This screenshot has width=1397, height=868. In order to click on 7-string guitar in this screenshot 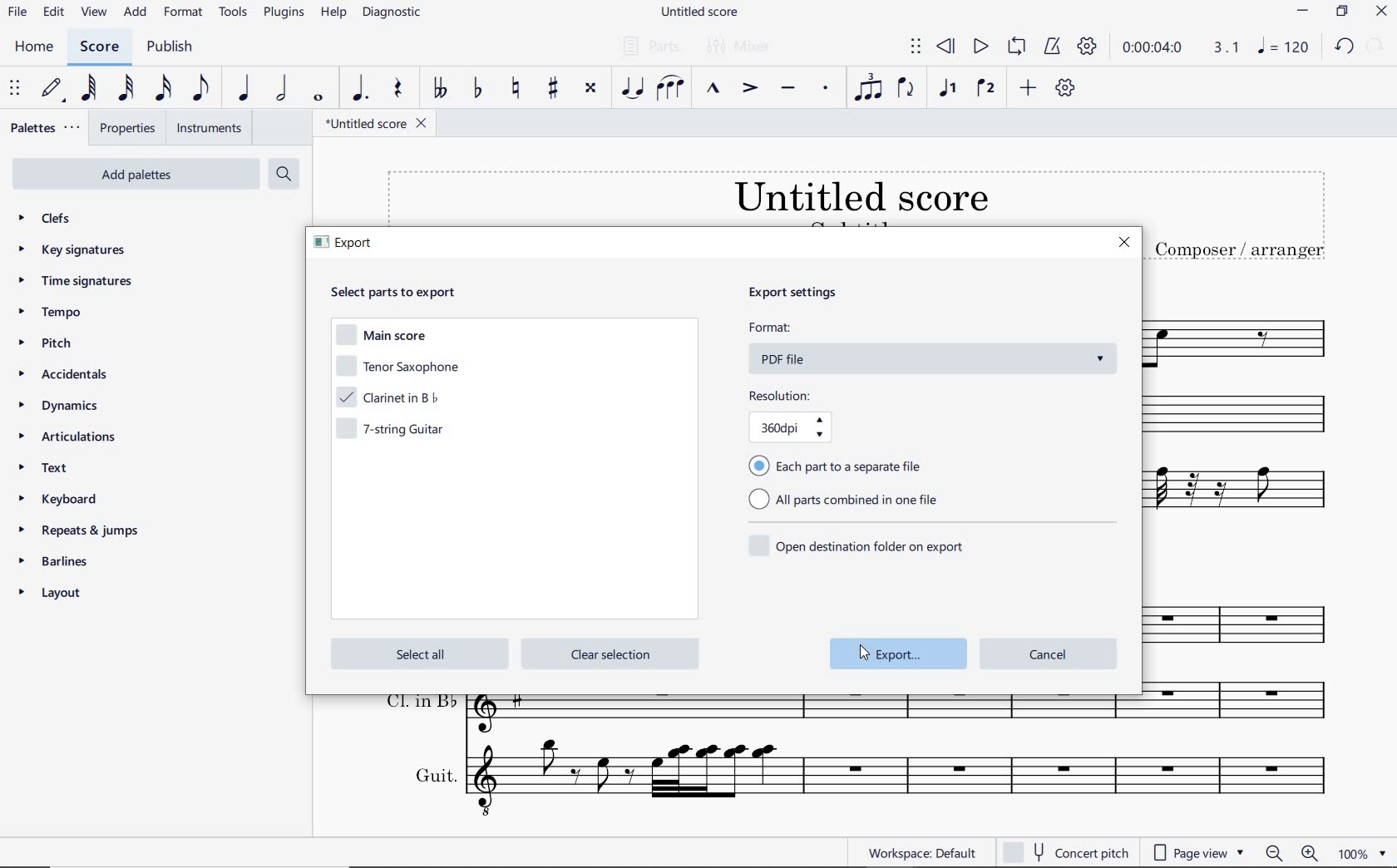, I will do `click(397, 432)`.